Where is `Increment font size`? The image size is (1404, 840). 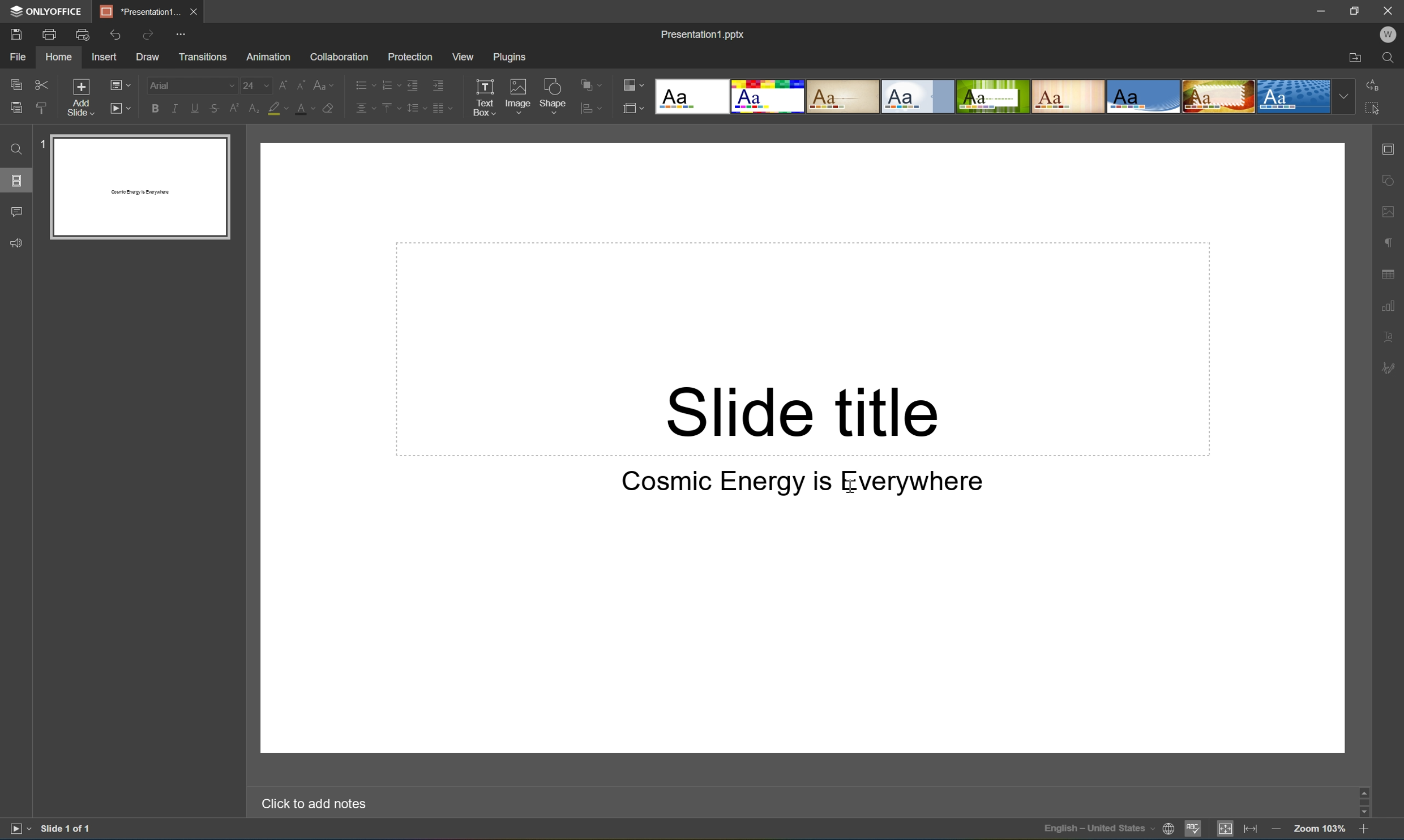 Increment font size is located at coordinates (282, 81).